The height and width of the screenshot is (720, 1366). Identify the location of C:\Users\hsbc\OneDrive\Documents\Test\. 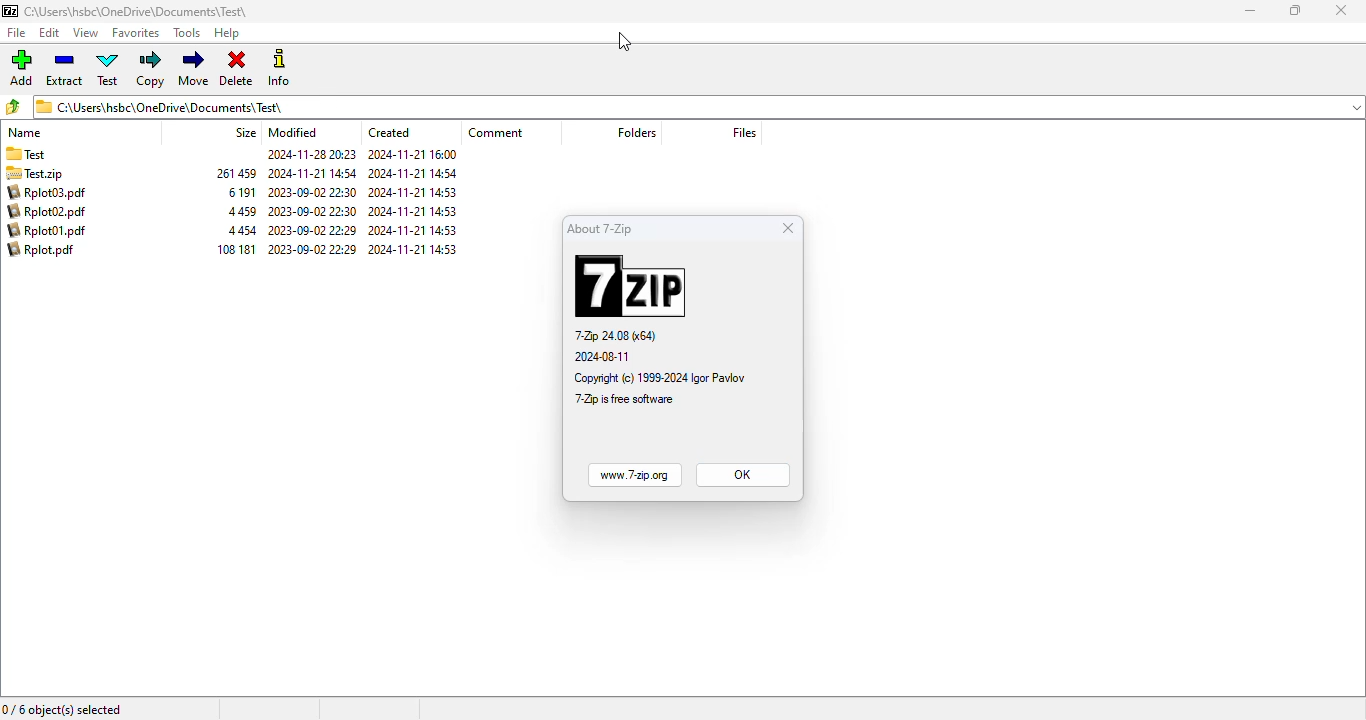
(129, 12).